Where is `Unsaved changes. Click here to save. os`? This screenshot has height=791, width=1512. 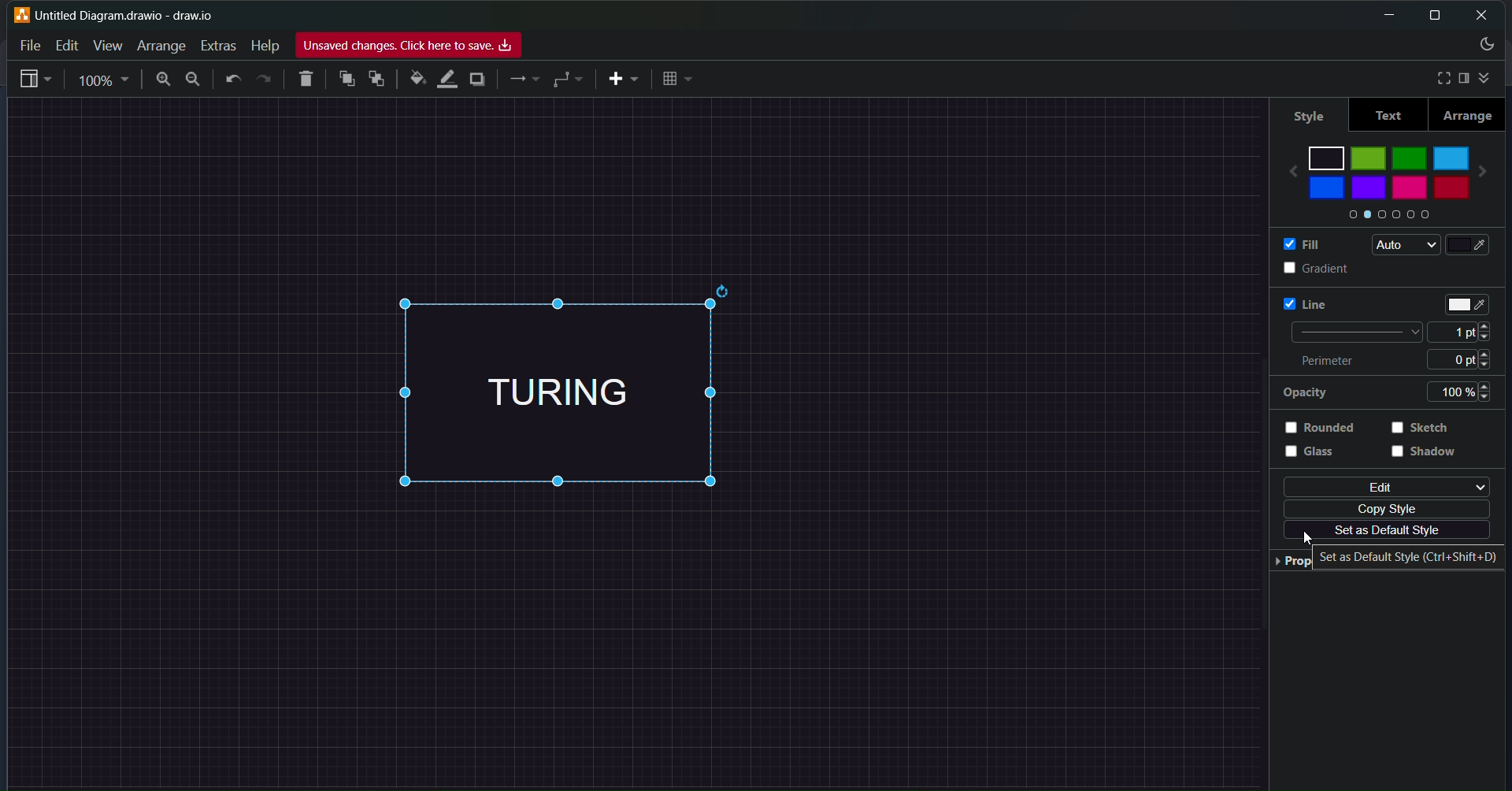
Unsaved changes. Click here to save. os is located at coordinates (409, 46).